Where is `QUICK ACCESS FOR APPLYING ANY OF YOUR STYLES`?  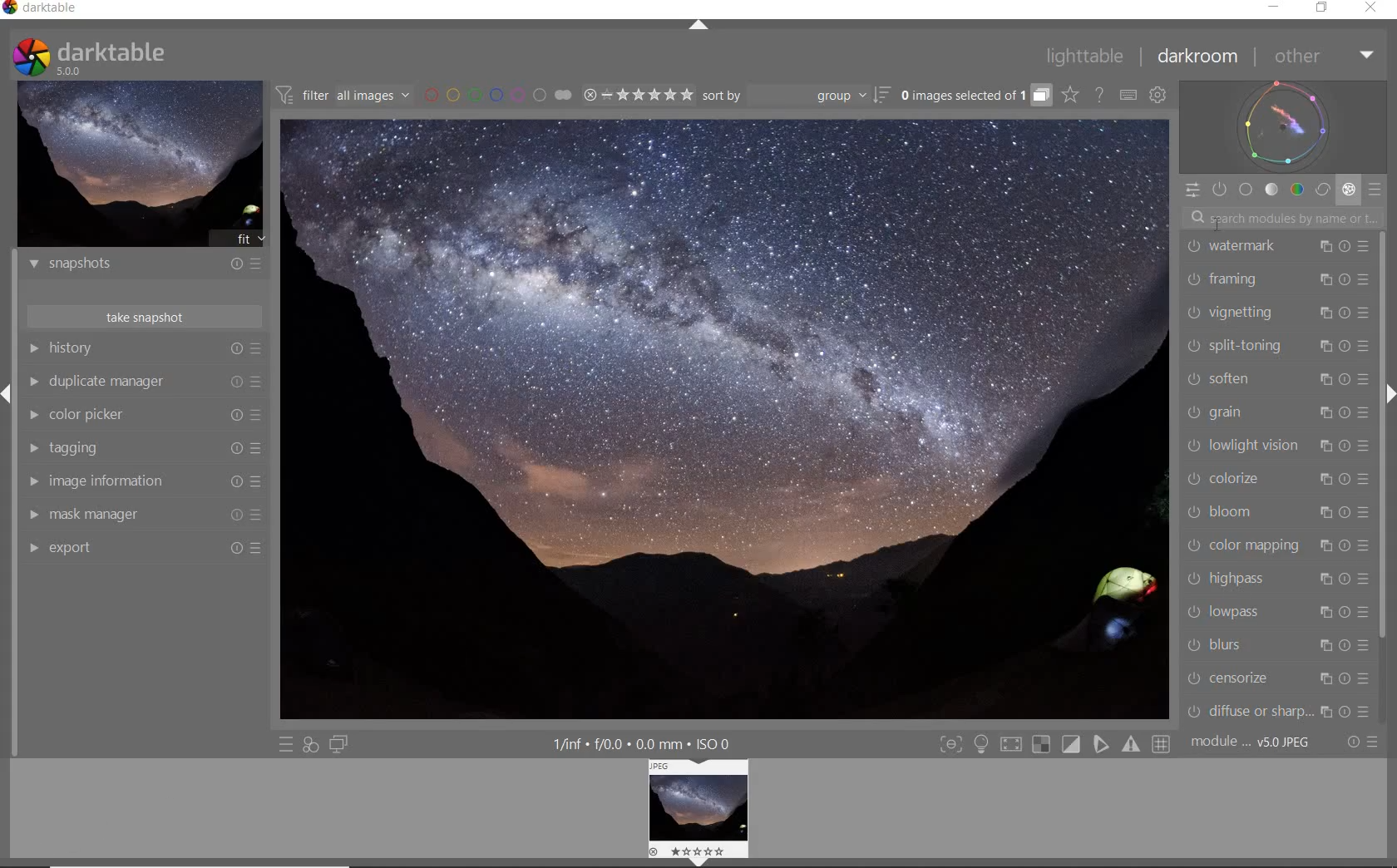
QUICK ACCESS FOR APPLYING ANY OF YOUR STYLES is located at coordinates (309, 744).